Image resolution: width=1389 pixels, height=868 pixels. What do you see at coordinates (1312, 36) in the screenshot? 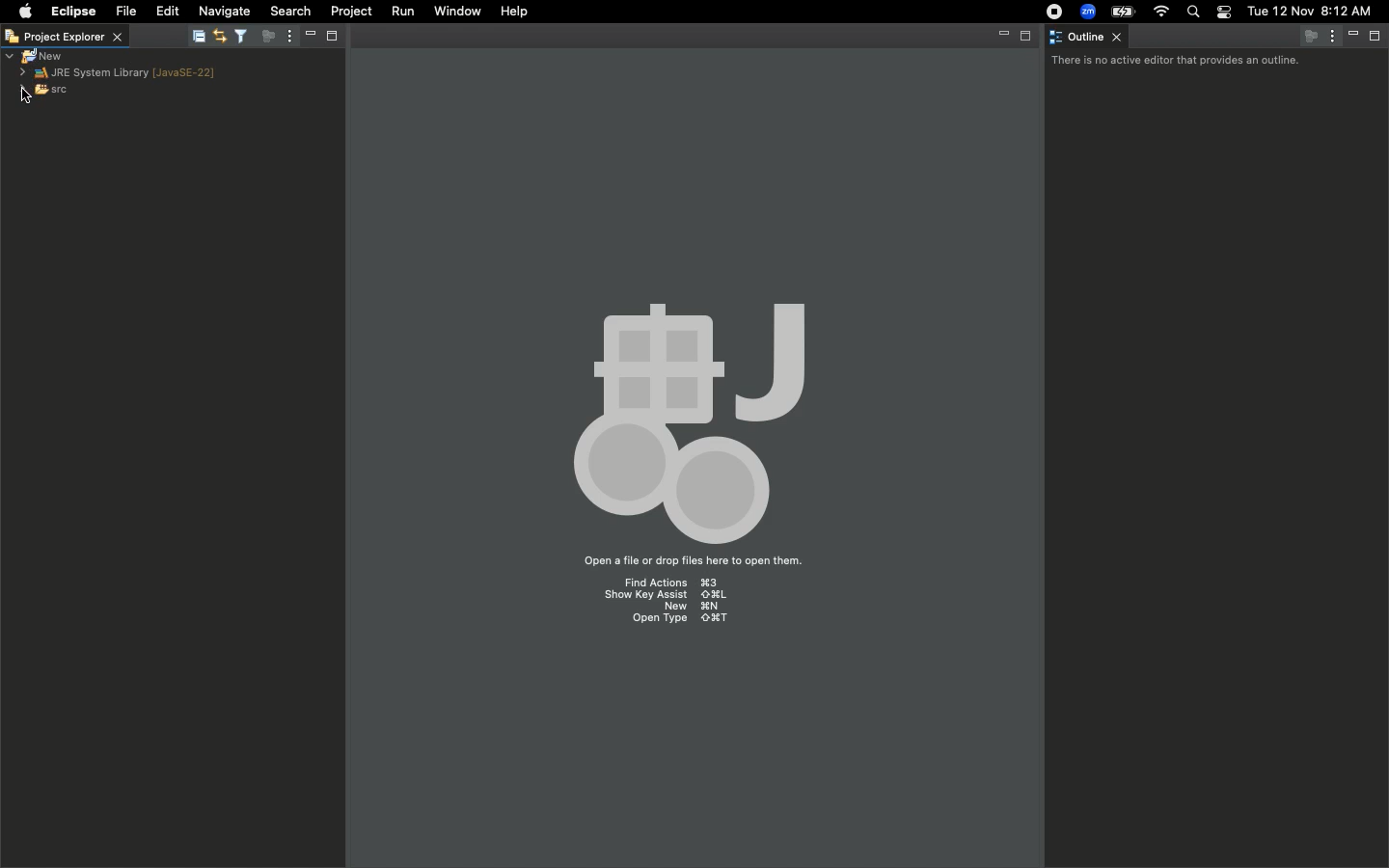
I see `Focus` at bounding box center [1312, 36].